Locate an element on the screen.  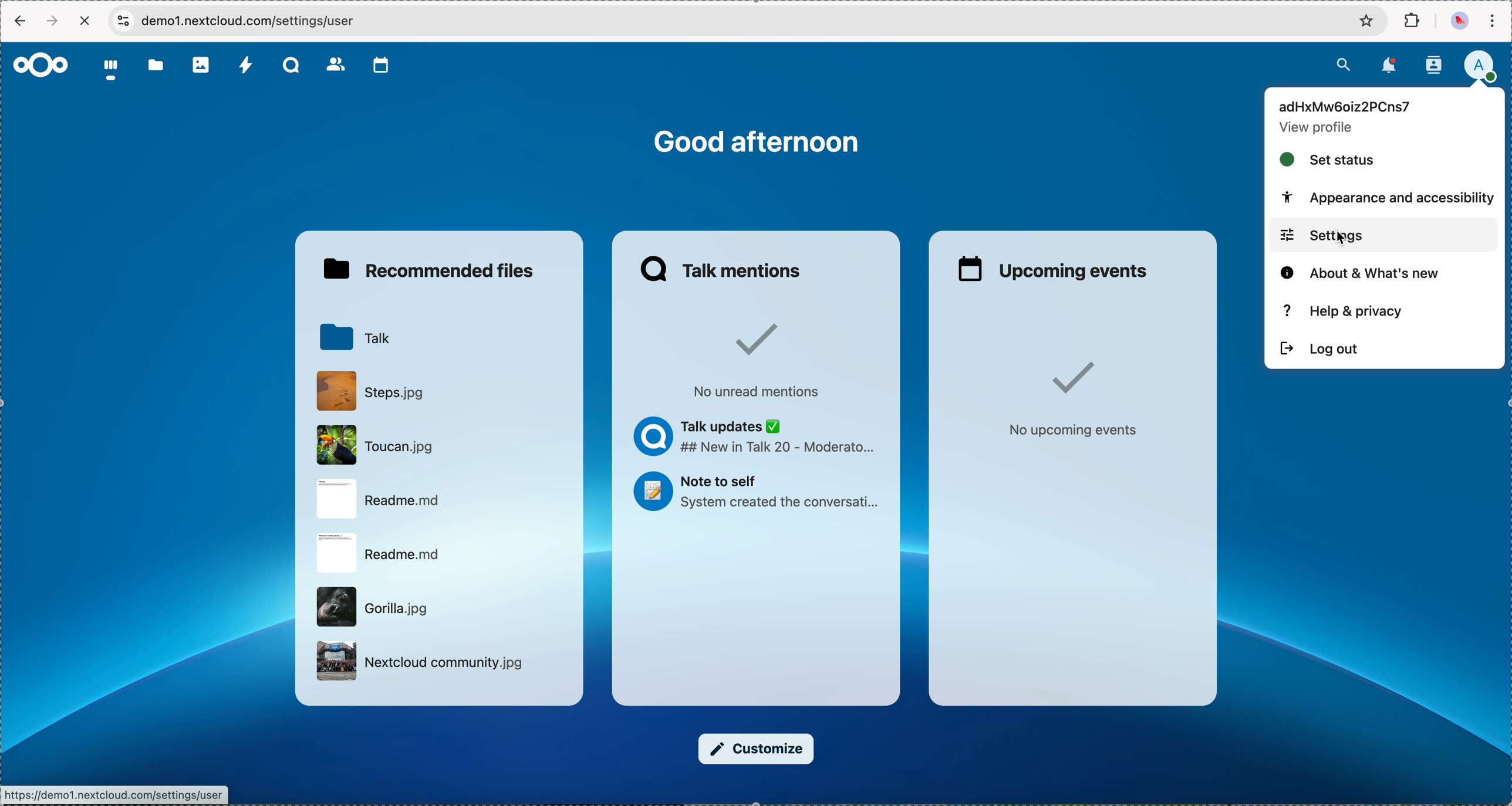
file is located at coordinates (372, 606).